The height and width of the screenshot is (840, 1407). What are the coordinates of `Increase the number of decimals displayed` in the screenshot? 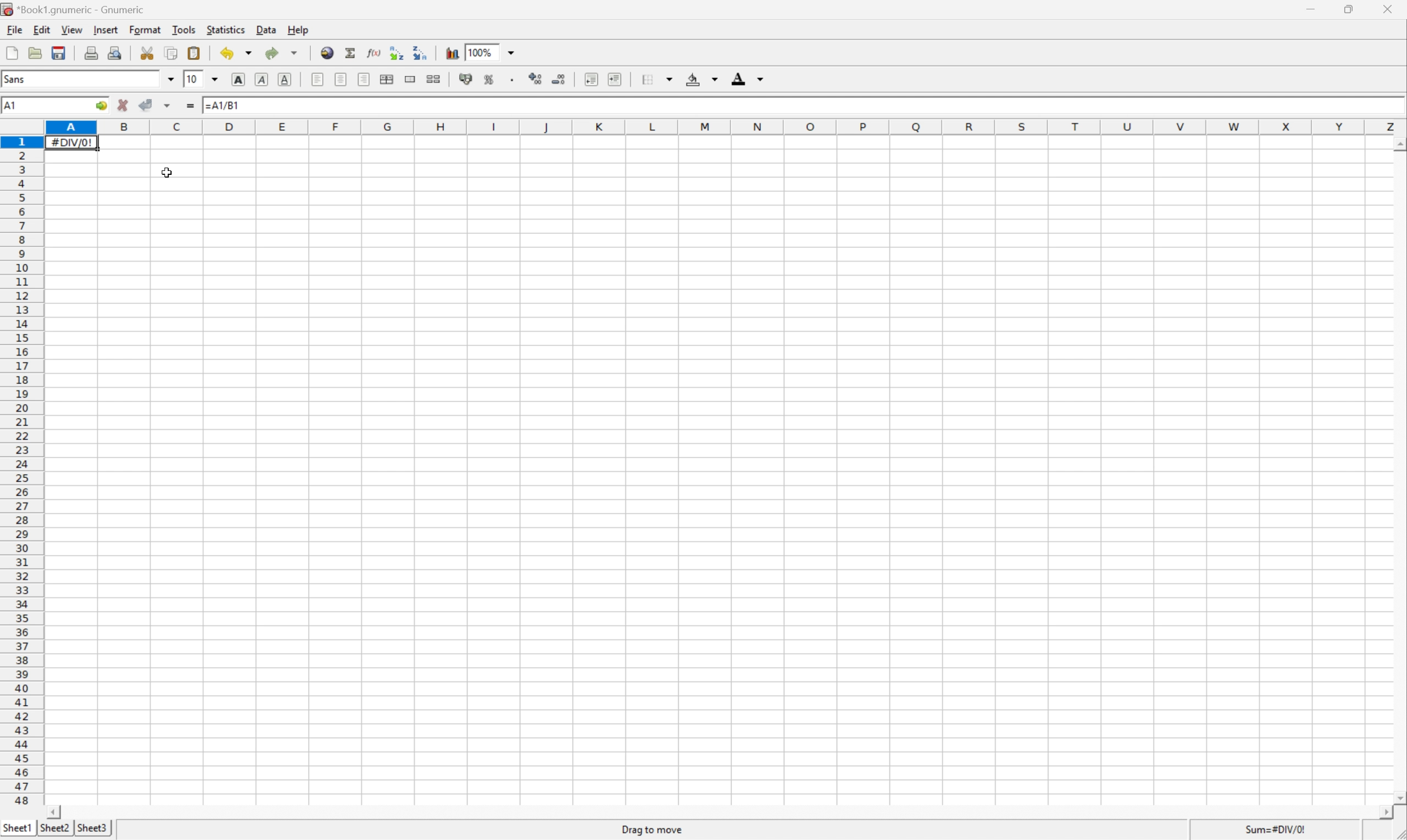 It's located at (537, 79).